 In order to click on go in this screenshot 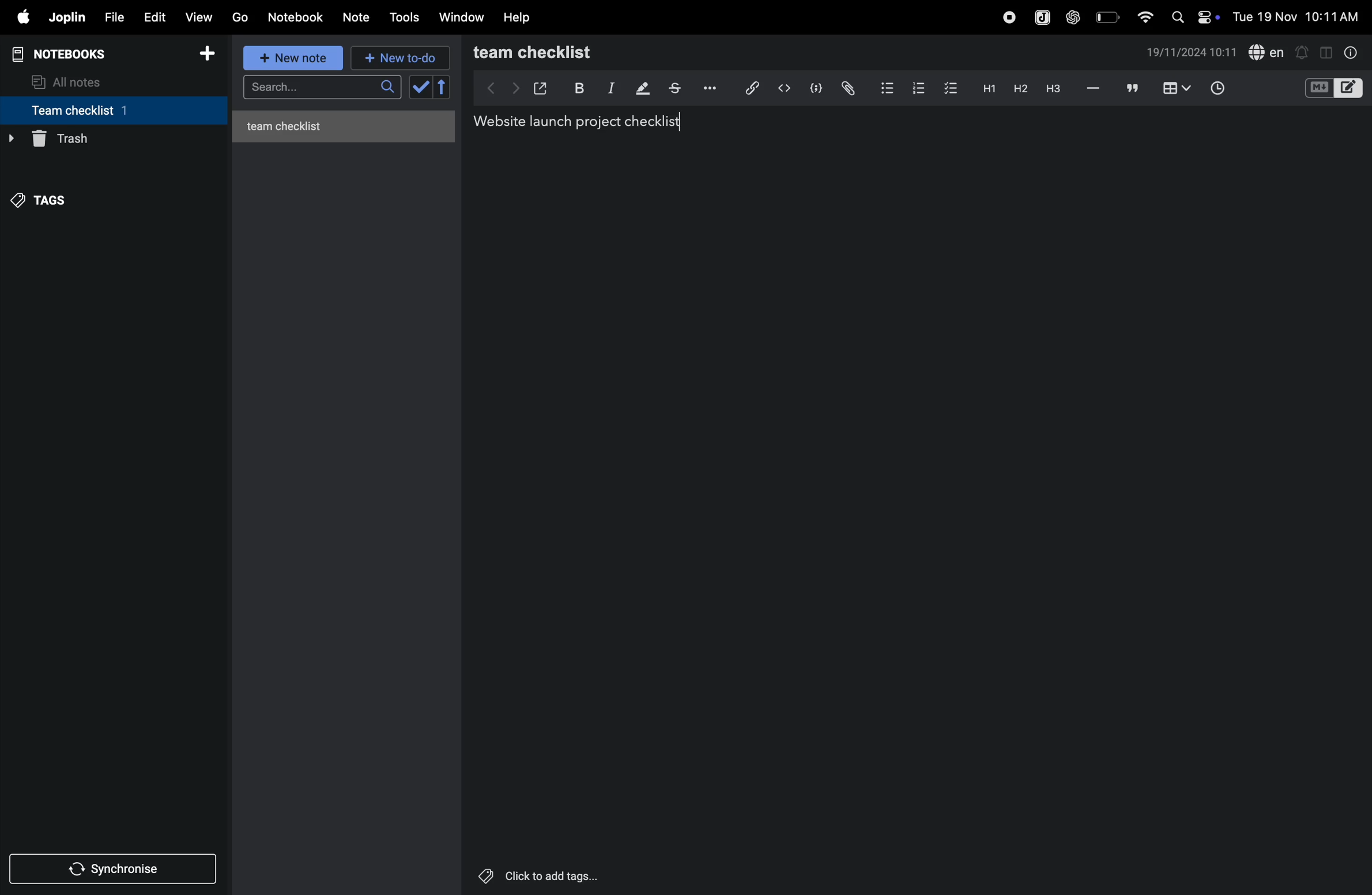, I will do `click(240, 18)`.